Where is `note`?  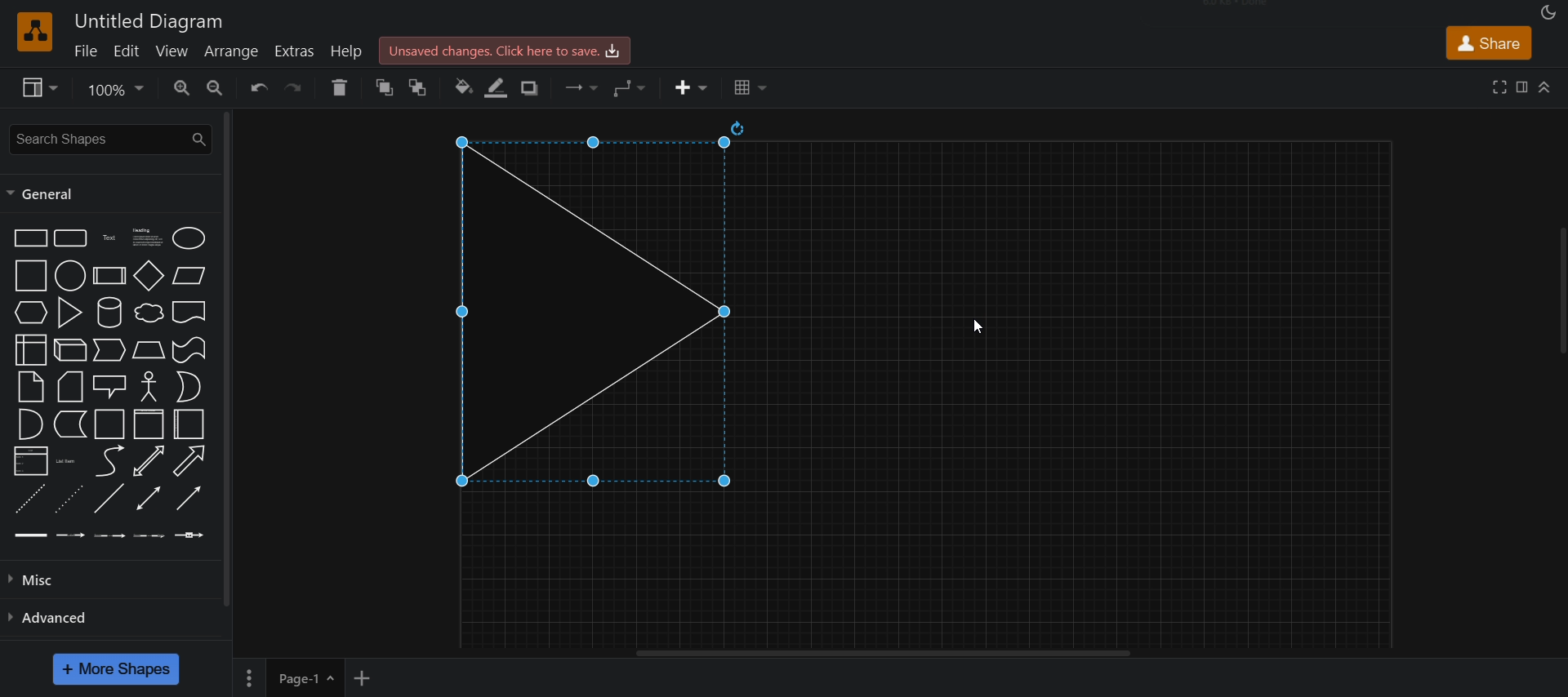
note is located at coordinates (29, 386).